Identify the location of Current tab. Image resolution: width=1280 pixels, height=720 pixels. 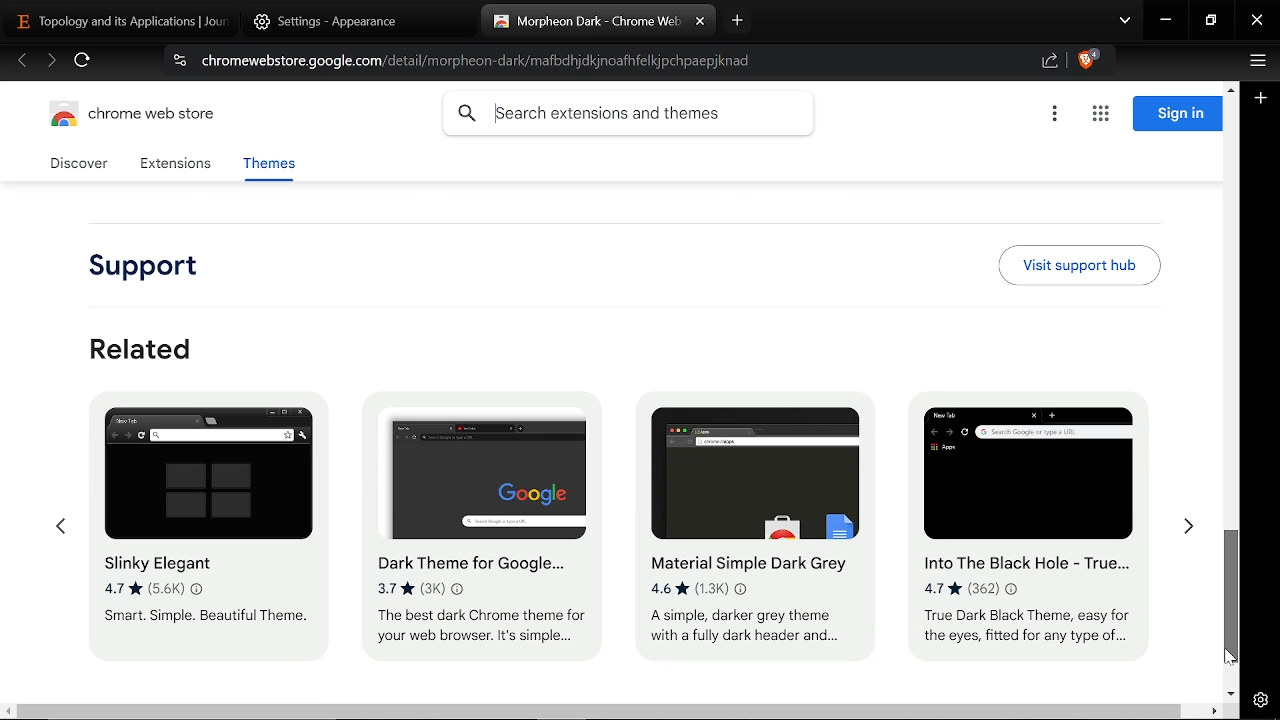
(580, 21).